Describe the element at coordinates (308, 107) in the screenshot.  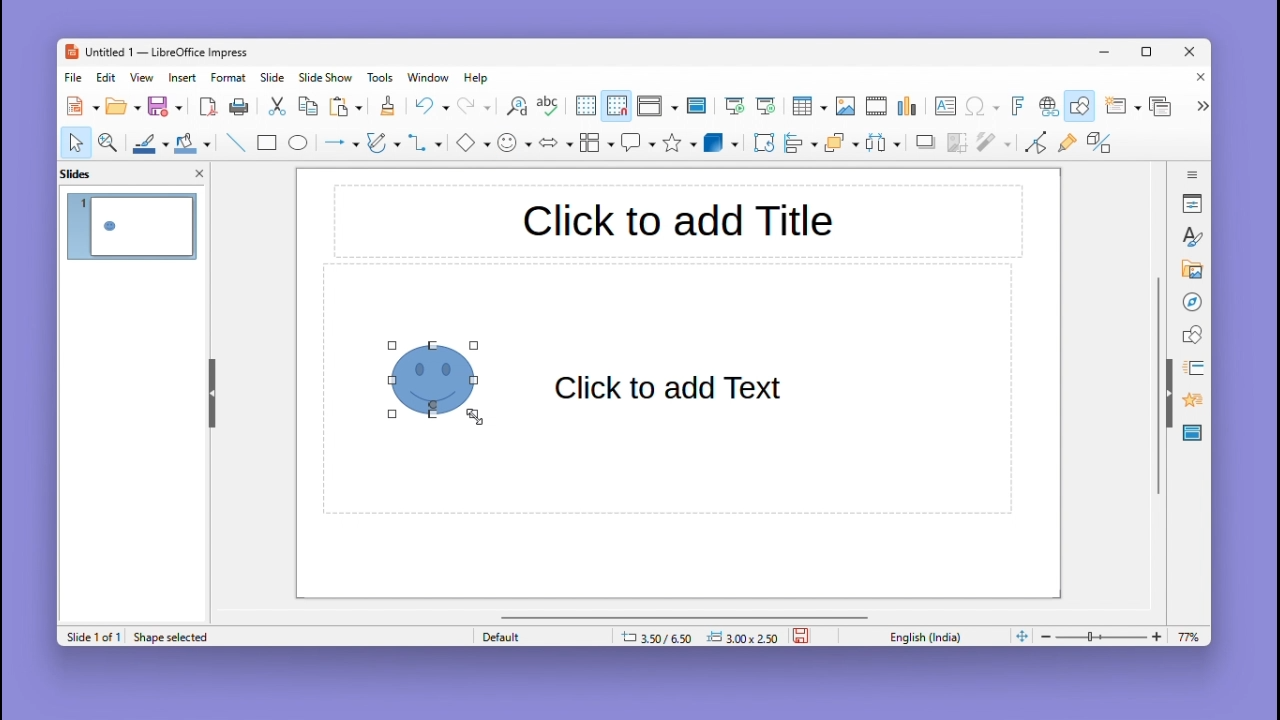
I see `copy` at that location.